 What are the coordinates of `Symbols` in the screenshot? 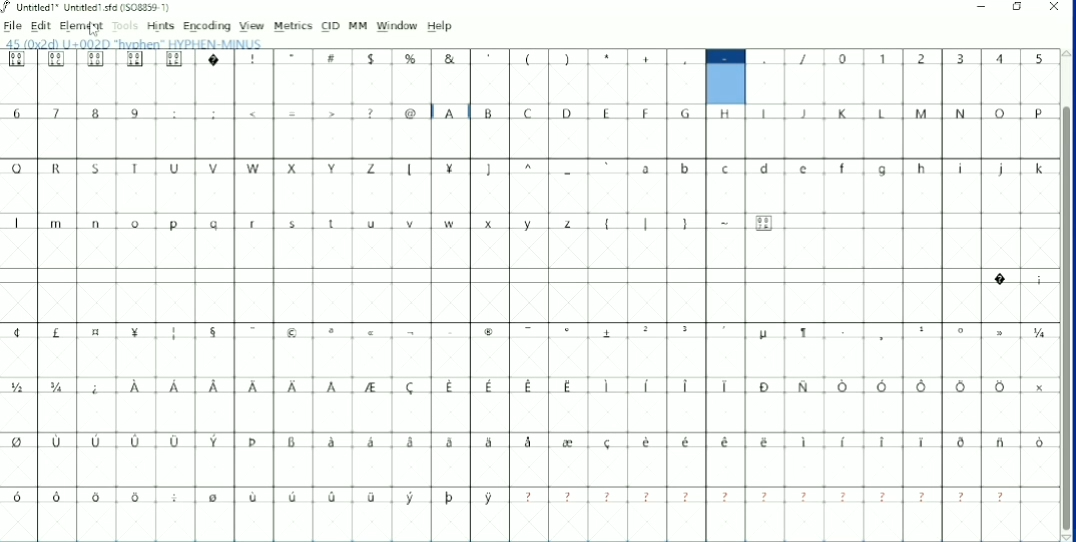 It's located at (1017, 280).